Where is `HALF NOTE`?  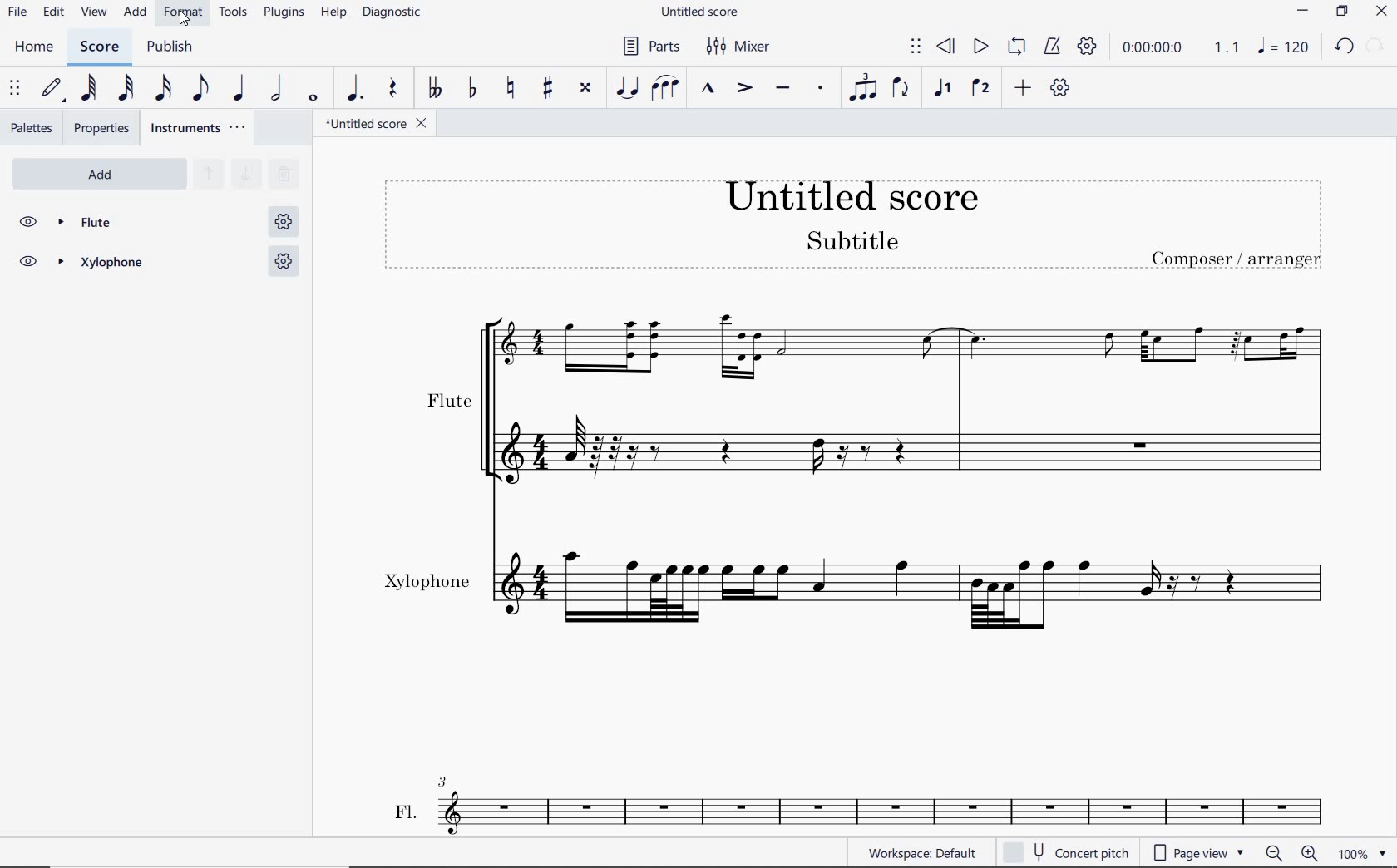 HALF NOTE is located at coordinates (275, 89).